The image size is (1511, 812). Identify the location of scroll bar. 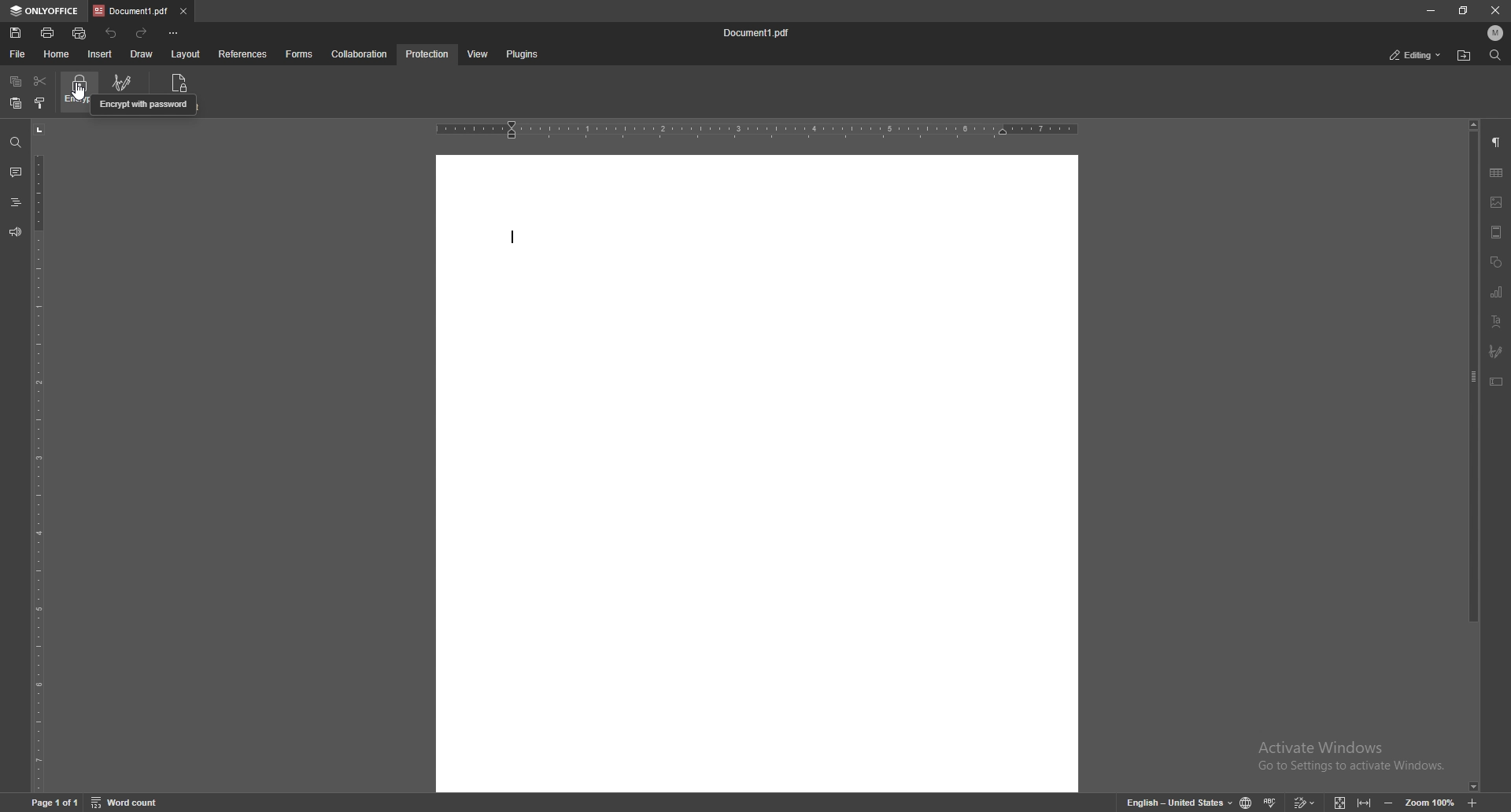
(1472, 456).